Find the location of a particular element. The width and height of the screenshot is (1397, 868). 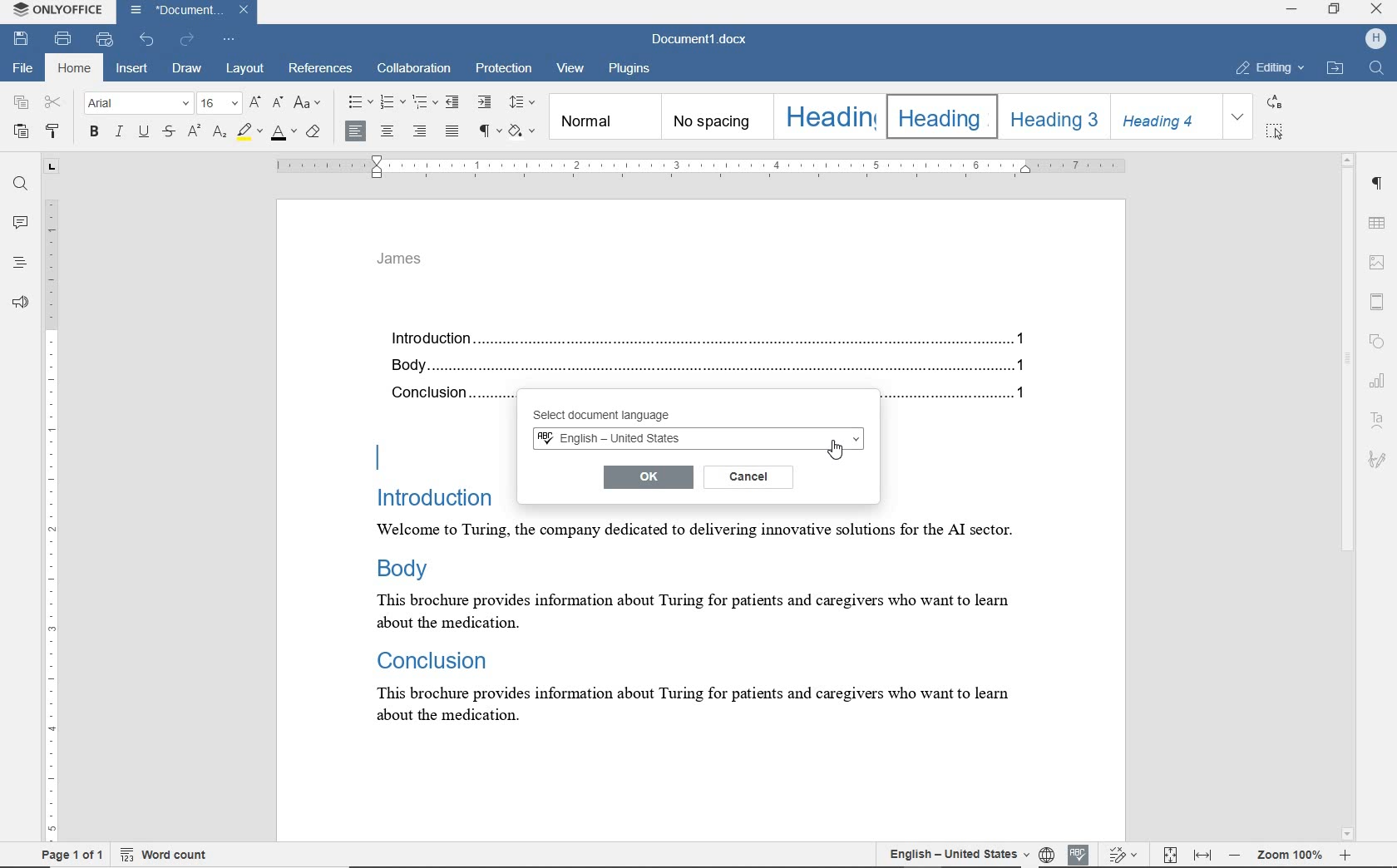

page 1 of 1 is located at coordinates (70, 856).